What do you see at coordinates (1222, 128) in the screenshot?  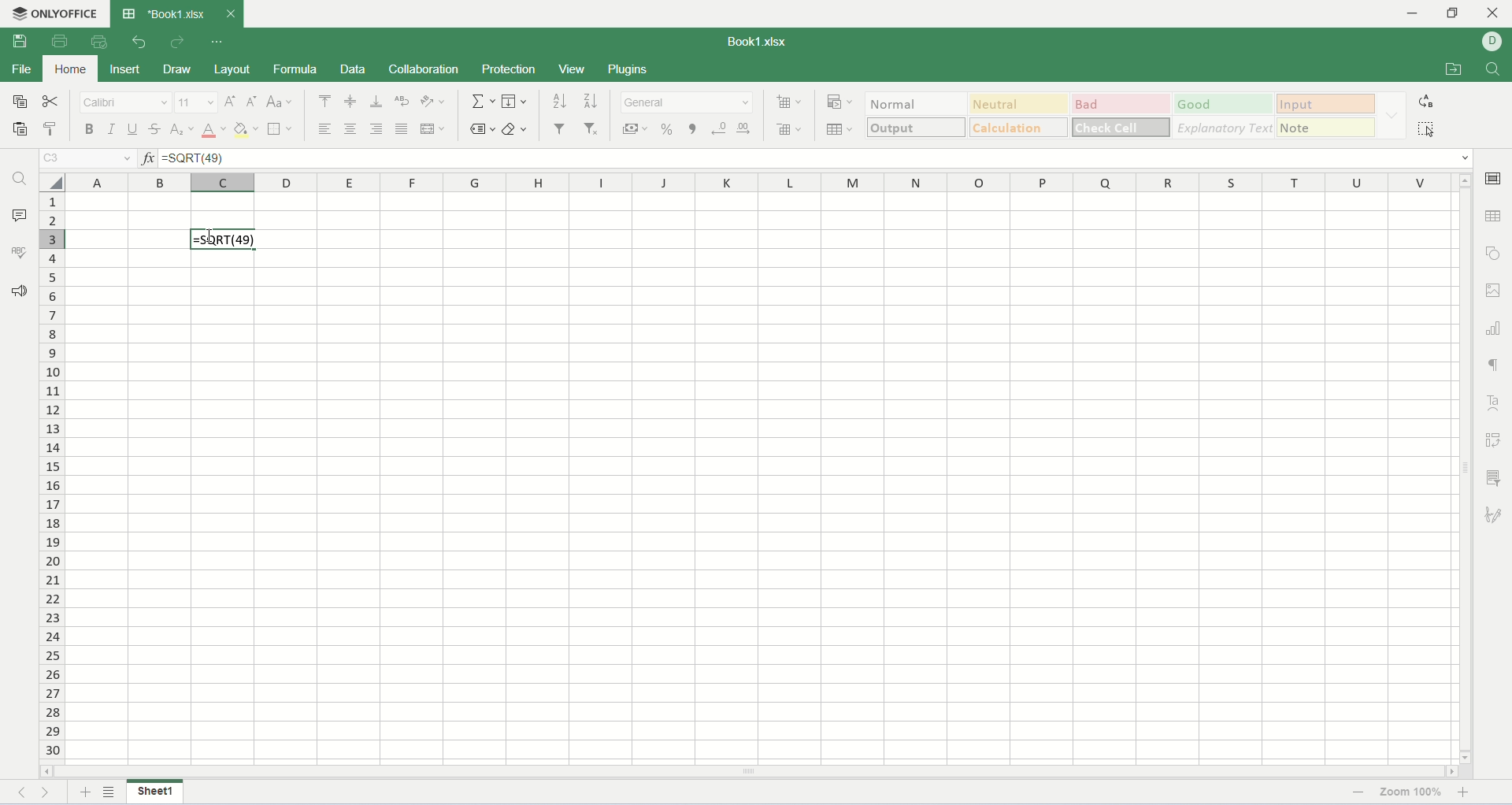 I see `explanatory text` at bounding box center [1222, 128].